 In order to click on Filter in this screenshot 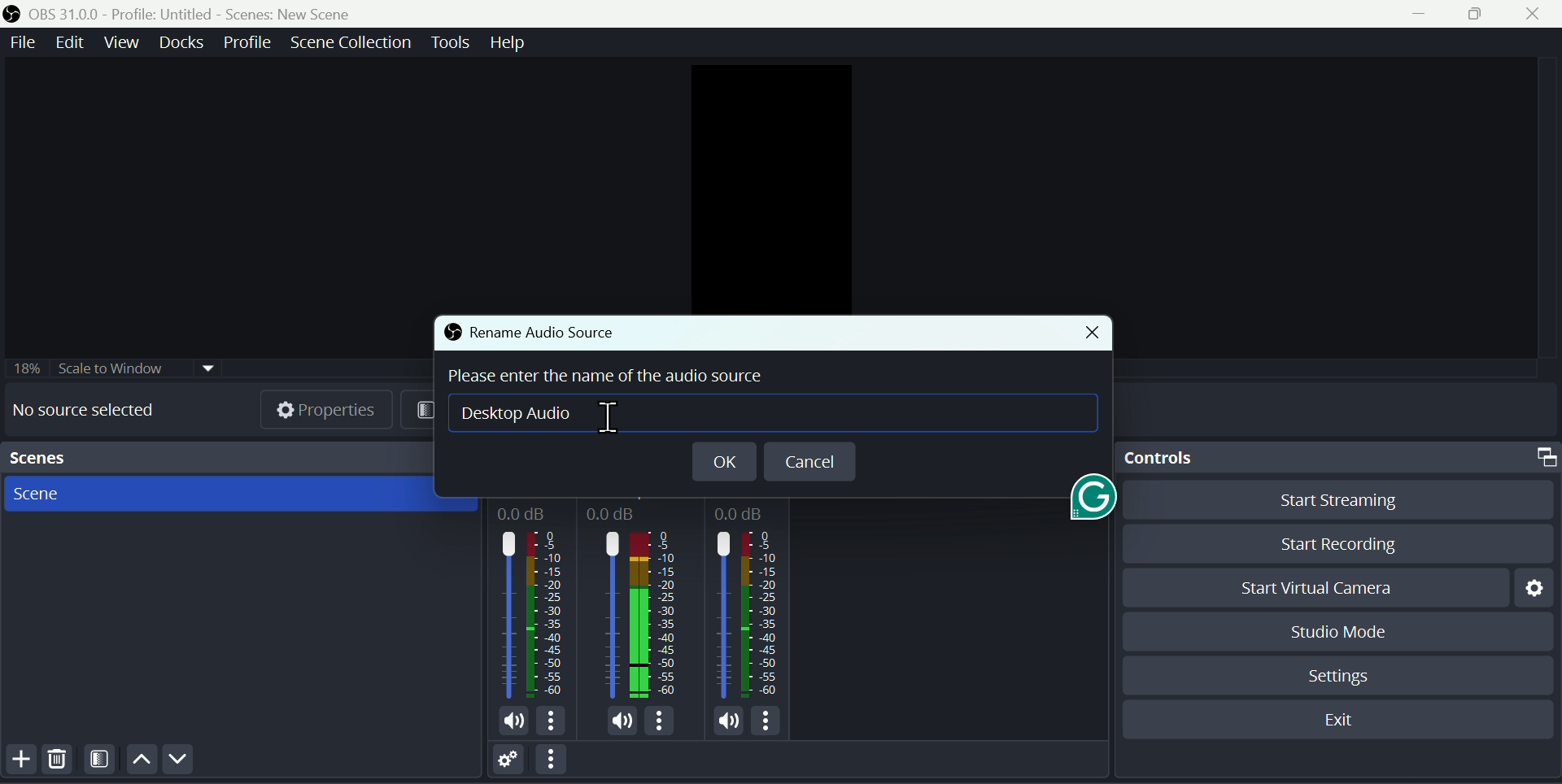, I will do `click(101, 761)`.